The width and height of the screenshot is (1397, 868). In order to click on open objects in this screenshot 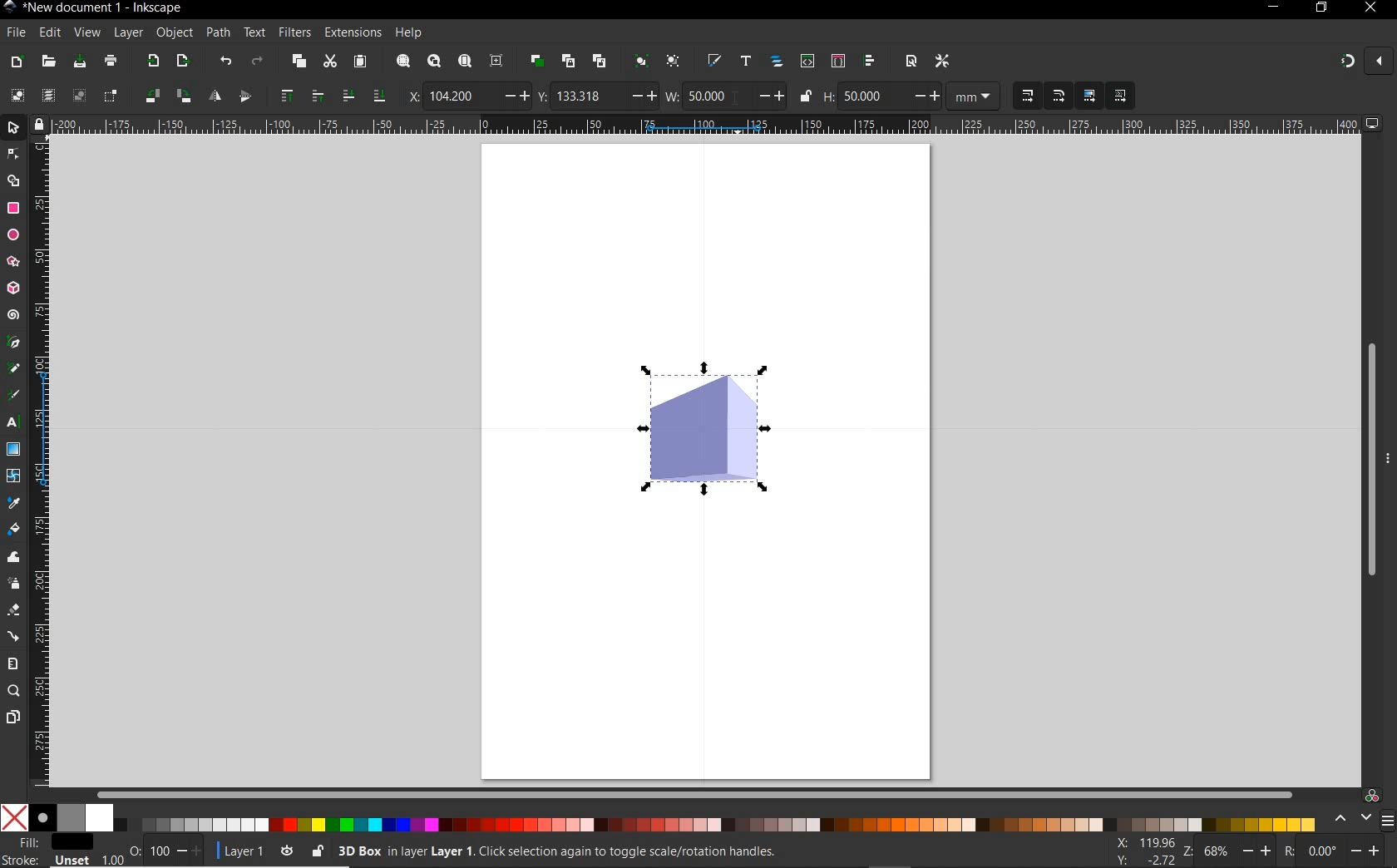, I will do `click(777, 60)`.